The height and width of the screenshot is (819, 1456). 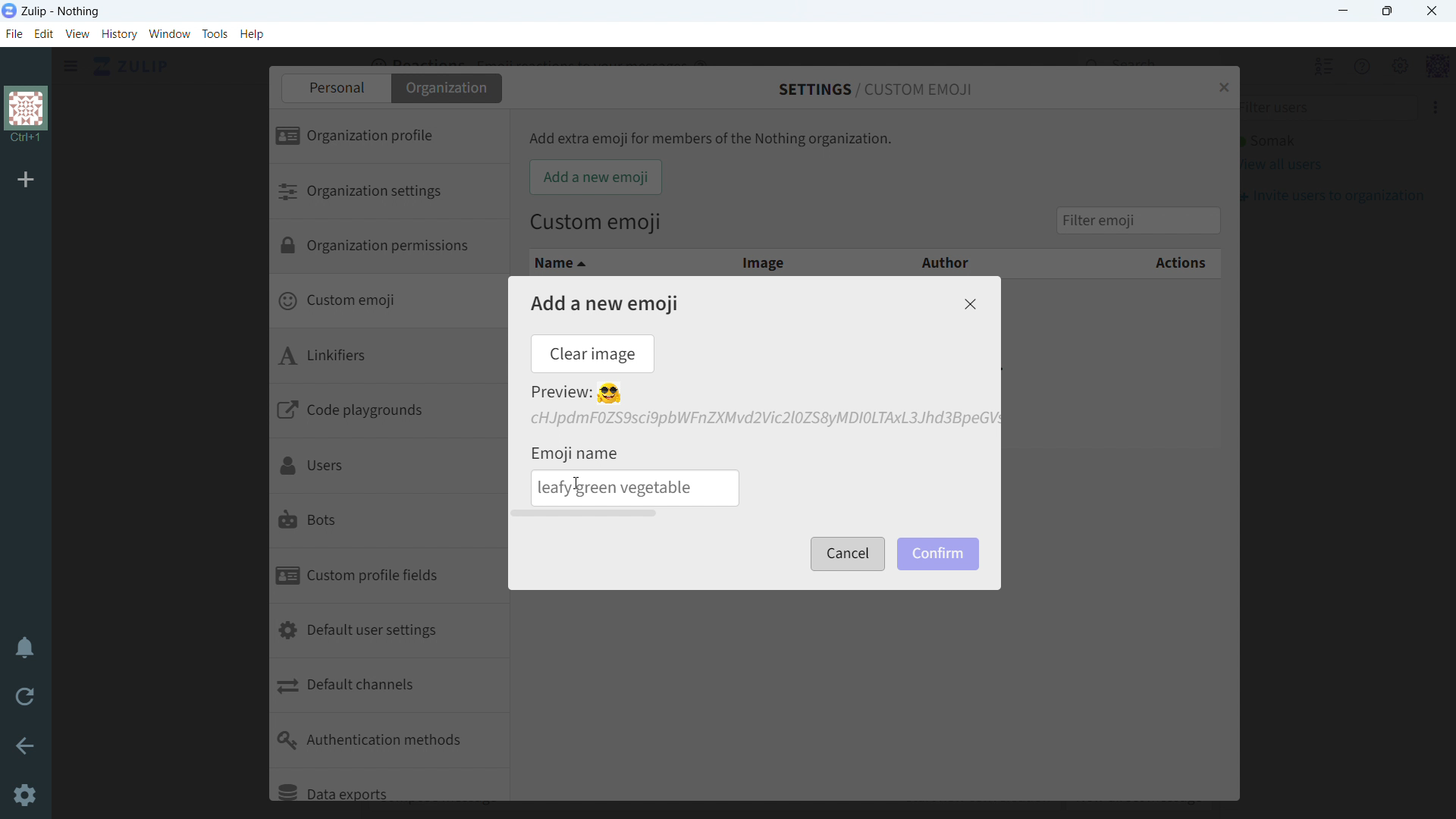 I want to click on open sidebar menu, so click(x=71, y=66).